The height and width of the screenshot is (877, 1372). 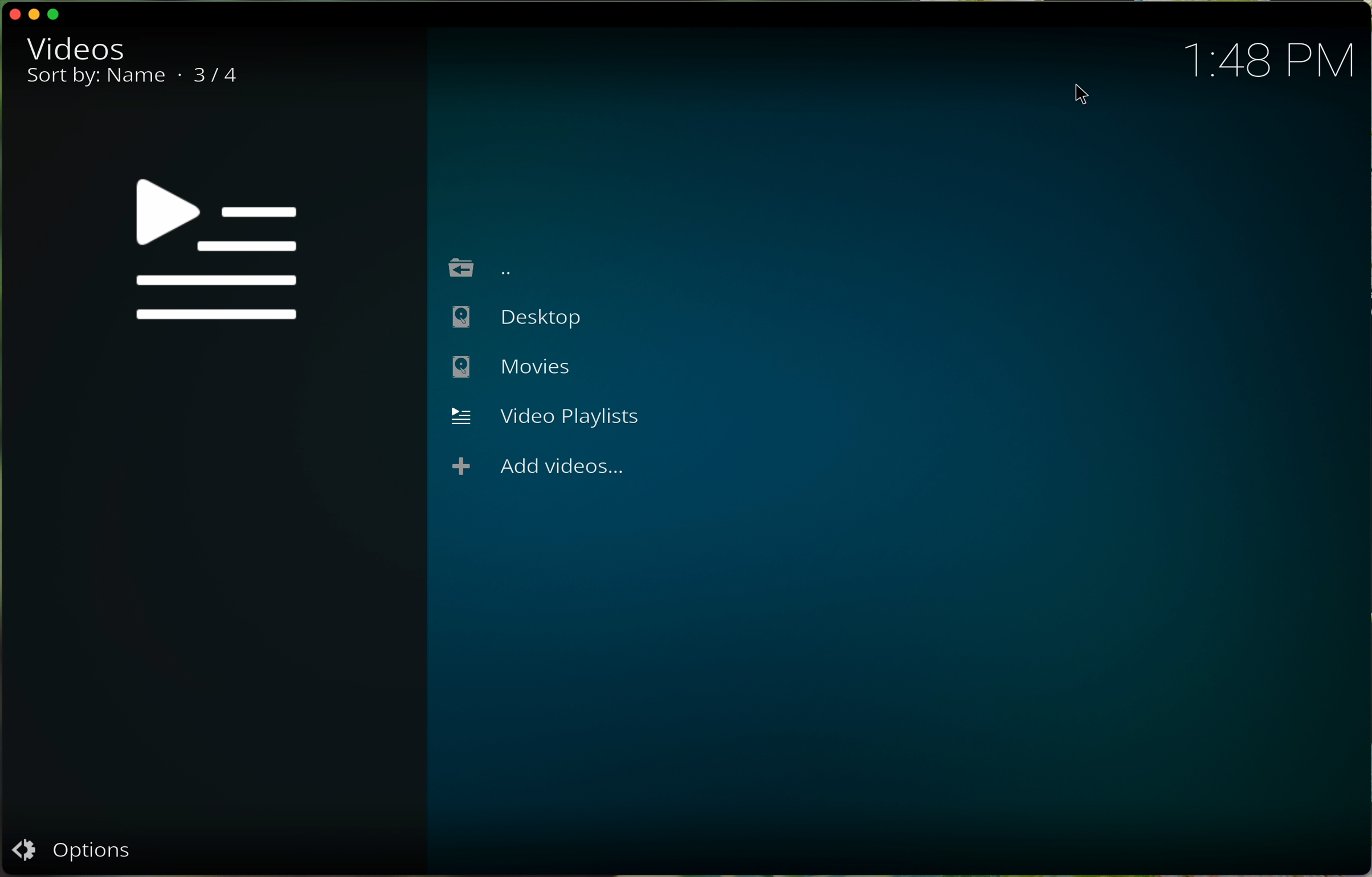 I want to click on sort by name, so click(x=97, y=80).